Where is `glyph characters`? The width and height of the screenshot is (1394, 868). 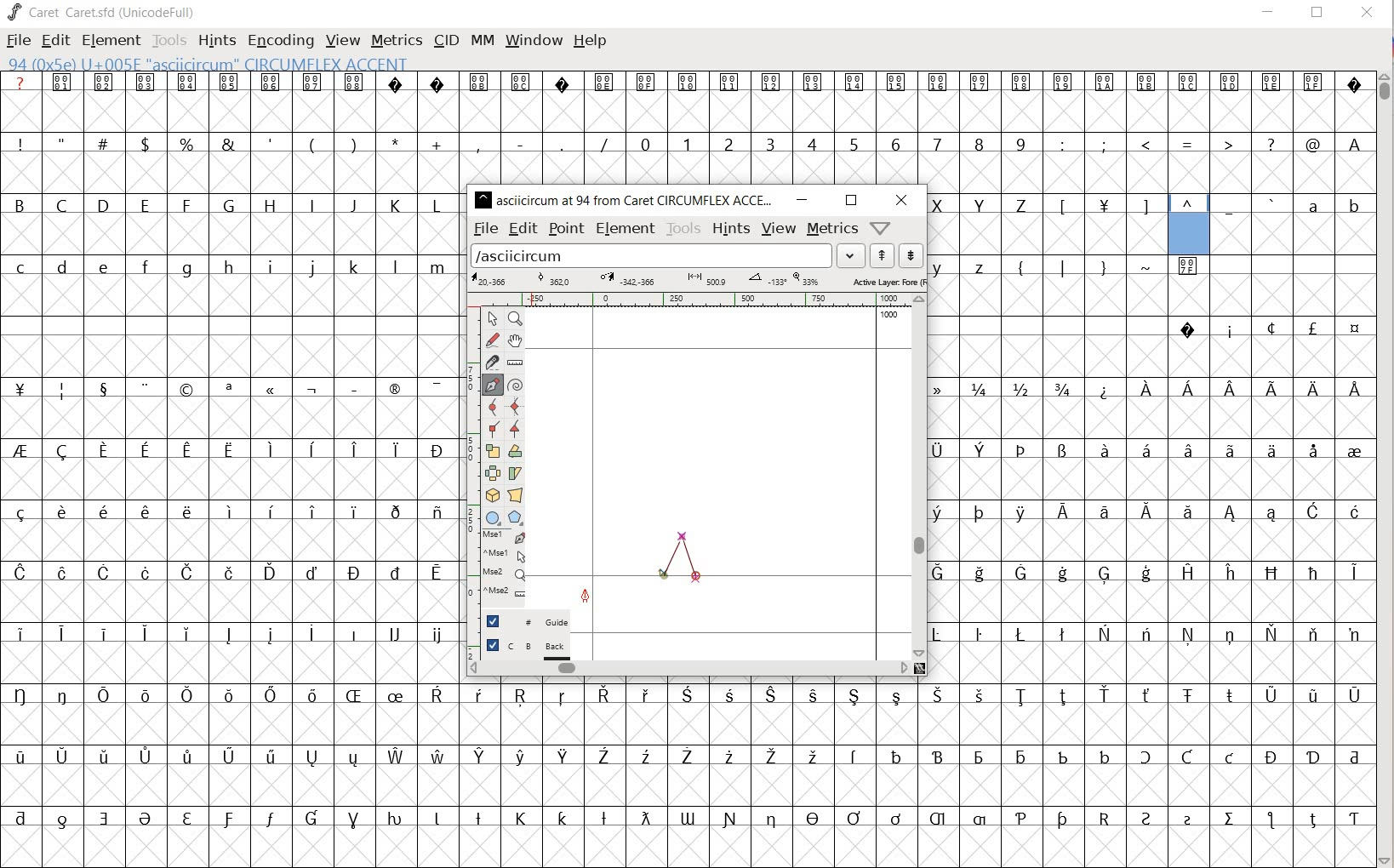
glyph characters is located at coordinates (920, 785).